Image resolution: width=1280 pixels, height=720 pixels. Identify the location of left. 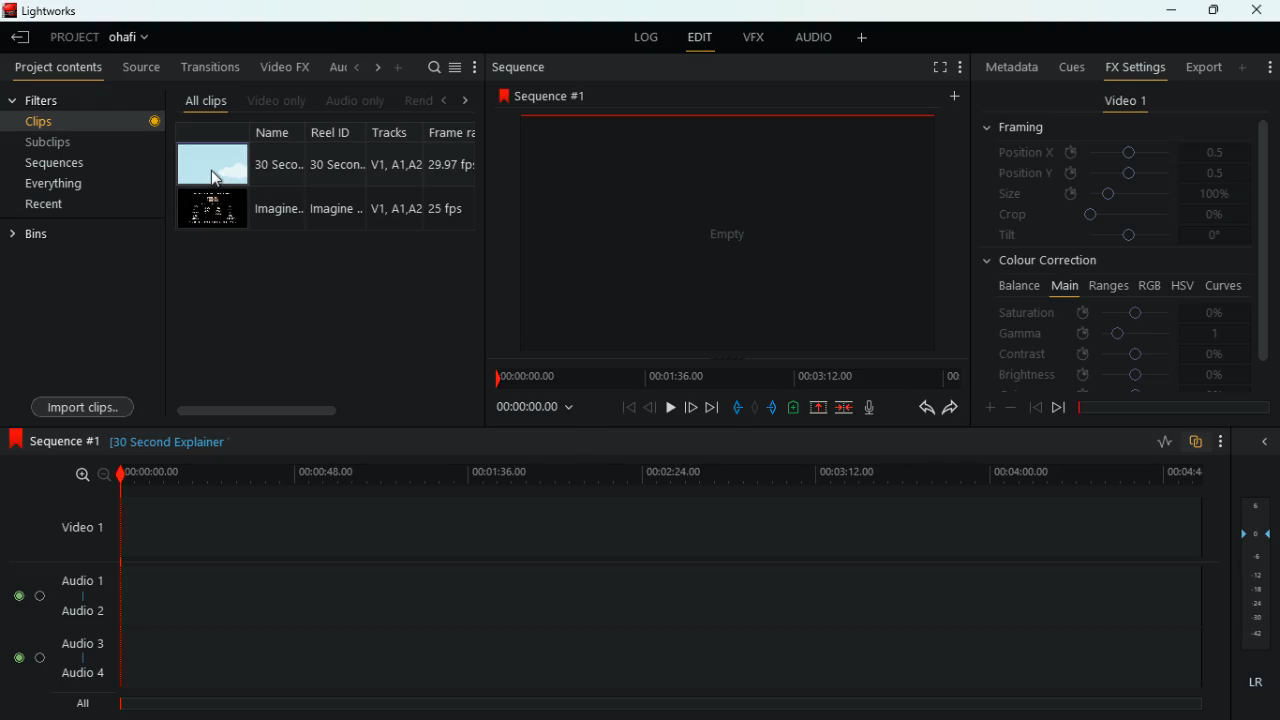
(442, 98).